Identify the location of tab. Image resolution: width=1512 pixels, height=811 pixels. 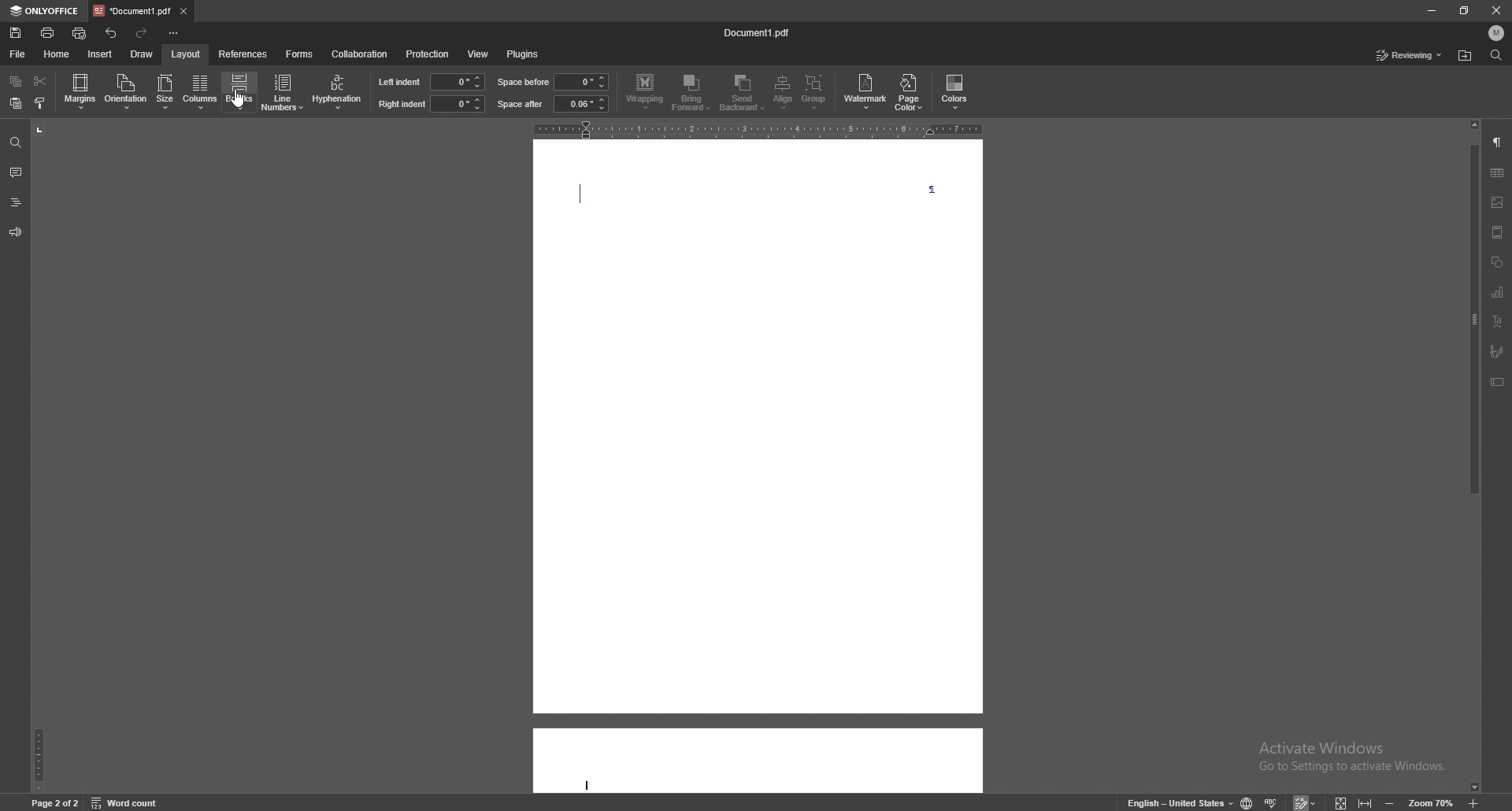
(131, 11).